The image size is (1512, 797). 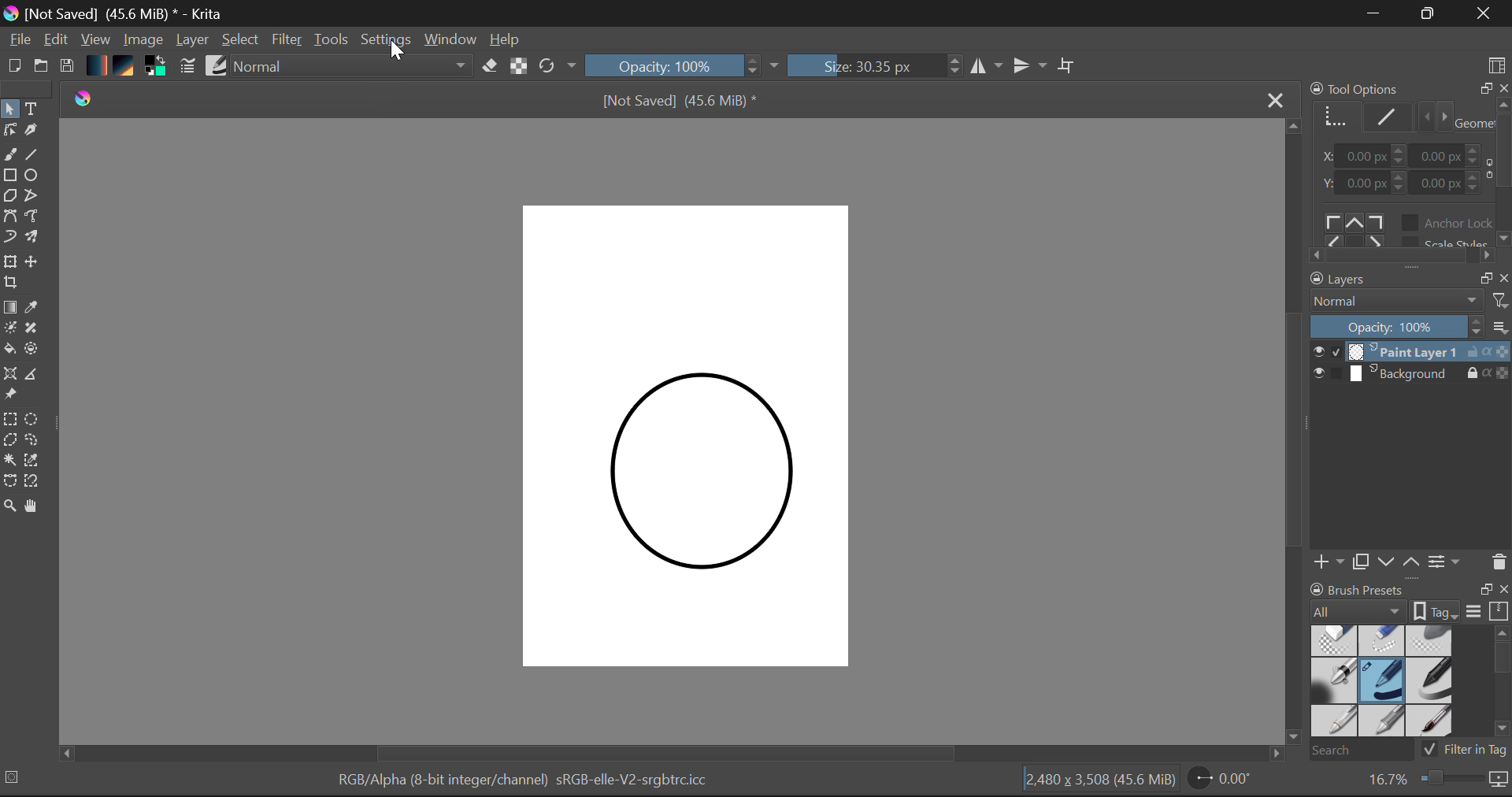 What do you see at coordinates (1225, 781) in the screenshot?
I see `Page Rotation` at bounding box center [1225, 781].